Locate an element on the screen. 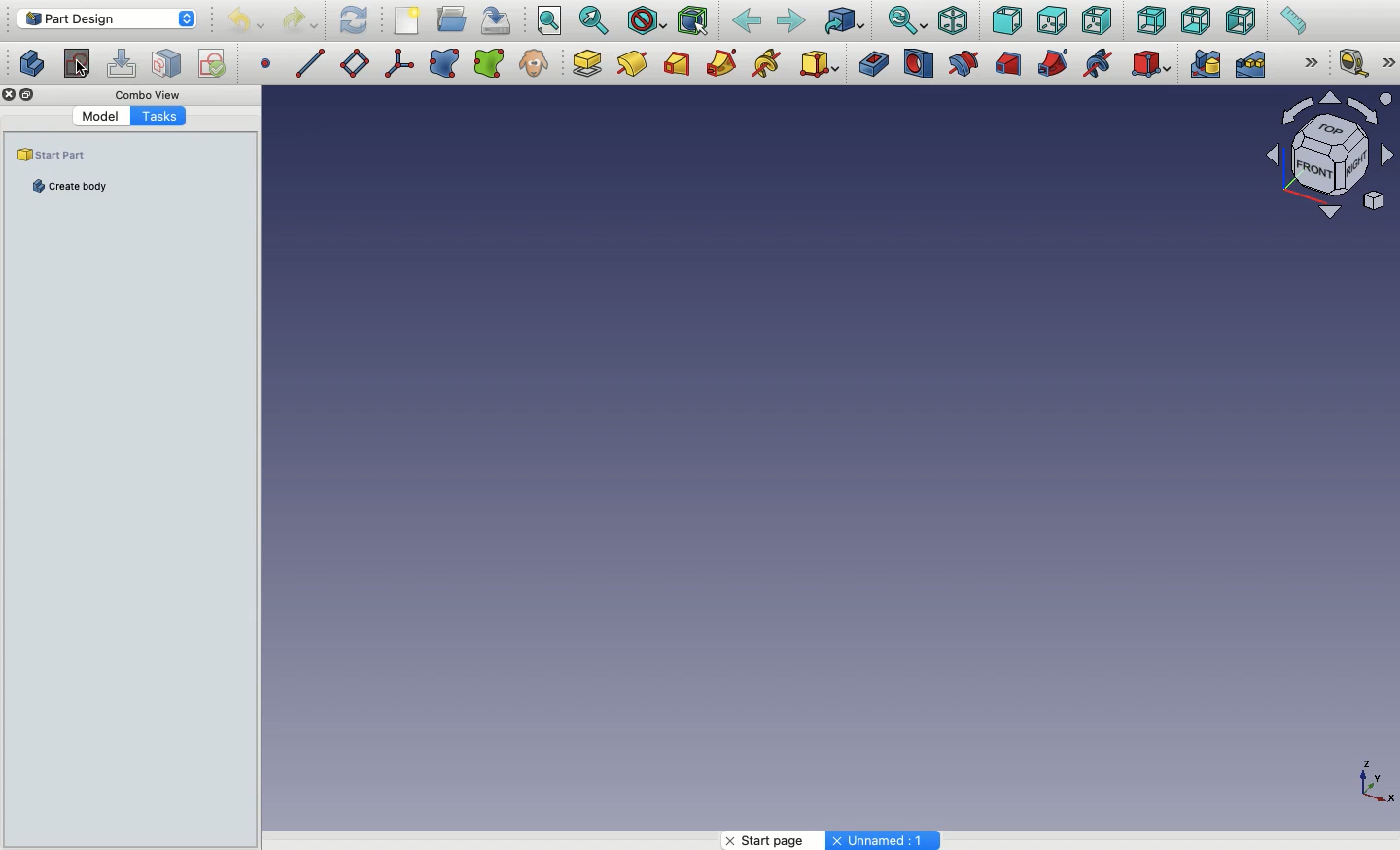 This screenshot has height=850, width=1400. Subtractive primitive is located at coordinates (1151, 66).